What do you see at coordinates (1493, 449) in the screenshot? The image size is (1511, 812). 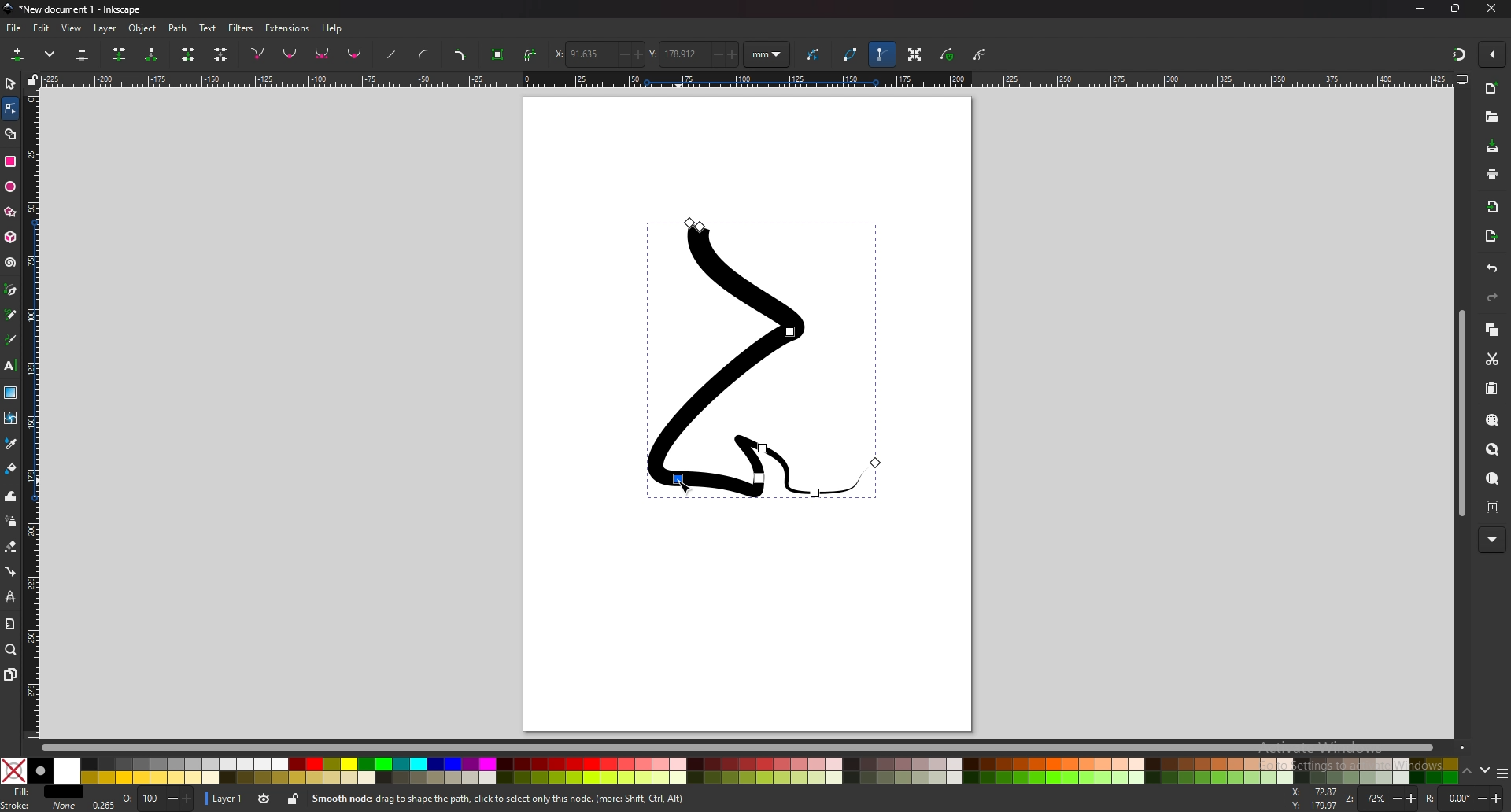 I see `zoom drawing` at bounding box center [1493, 449].